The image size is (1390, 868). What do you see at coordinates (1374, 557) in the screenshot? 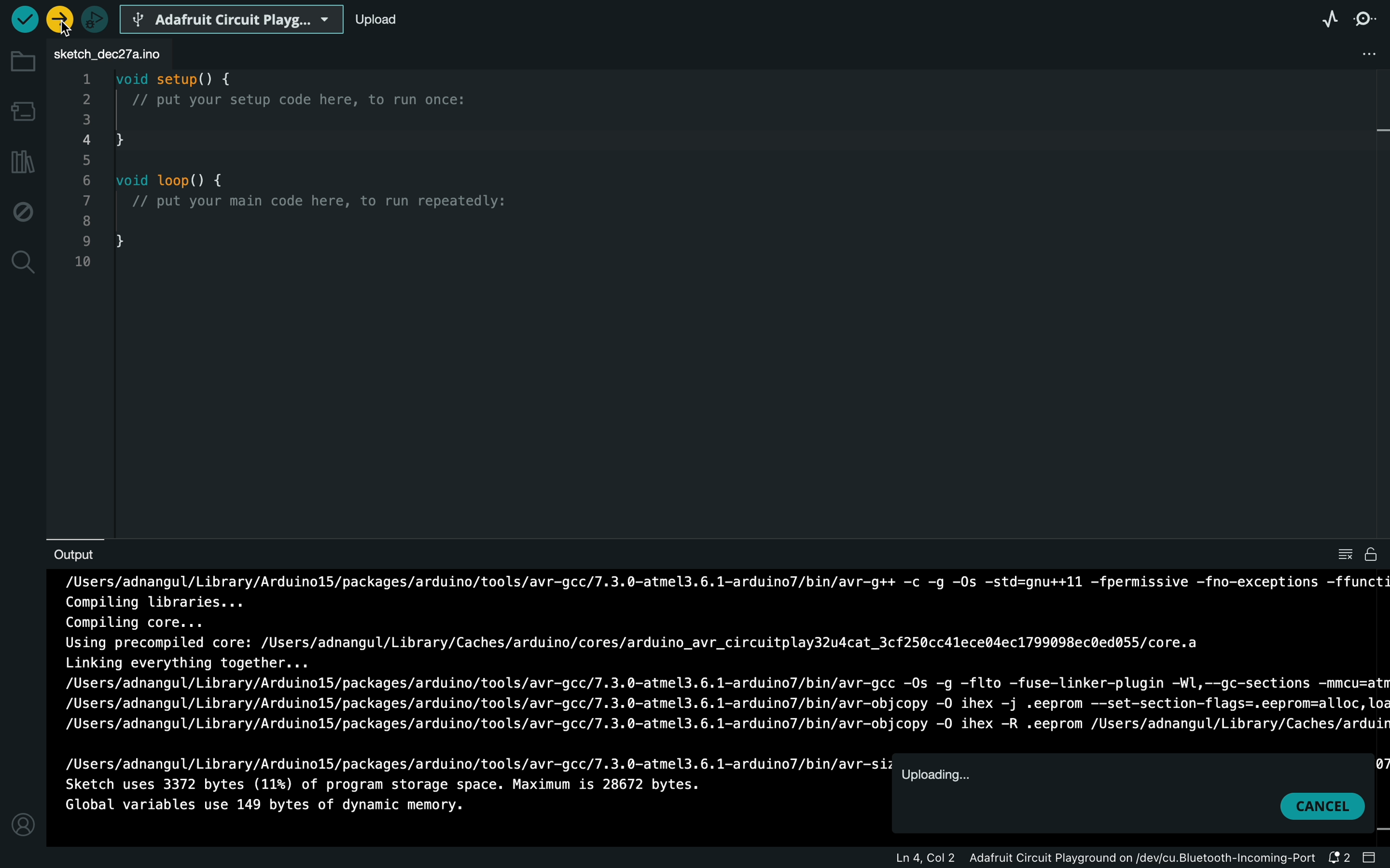
I see `file is writable` at bounding box center [1374, 557].